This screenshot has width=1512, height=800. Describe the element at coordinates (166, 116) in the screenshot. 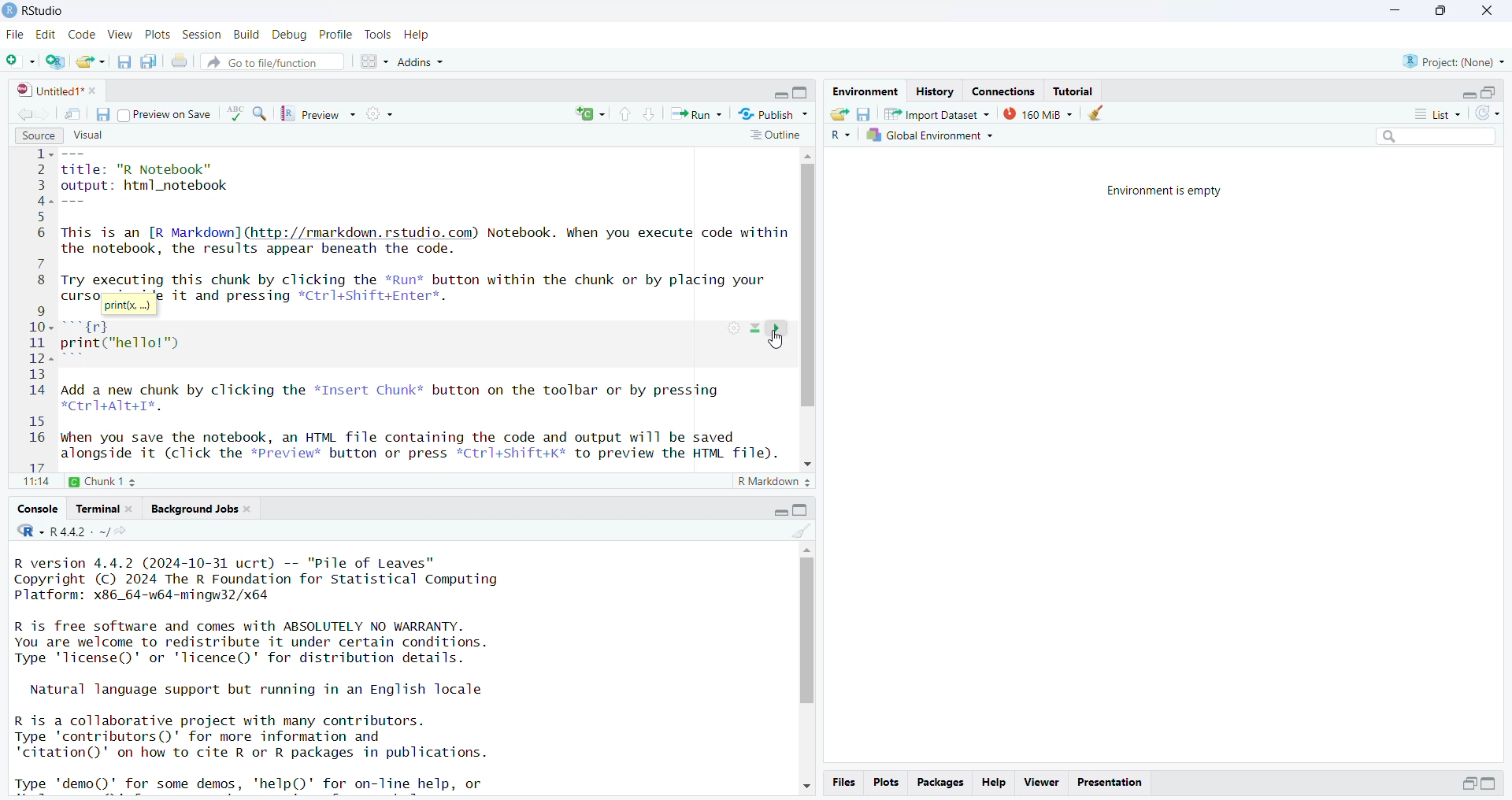

I see `preview on save` at that location.